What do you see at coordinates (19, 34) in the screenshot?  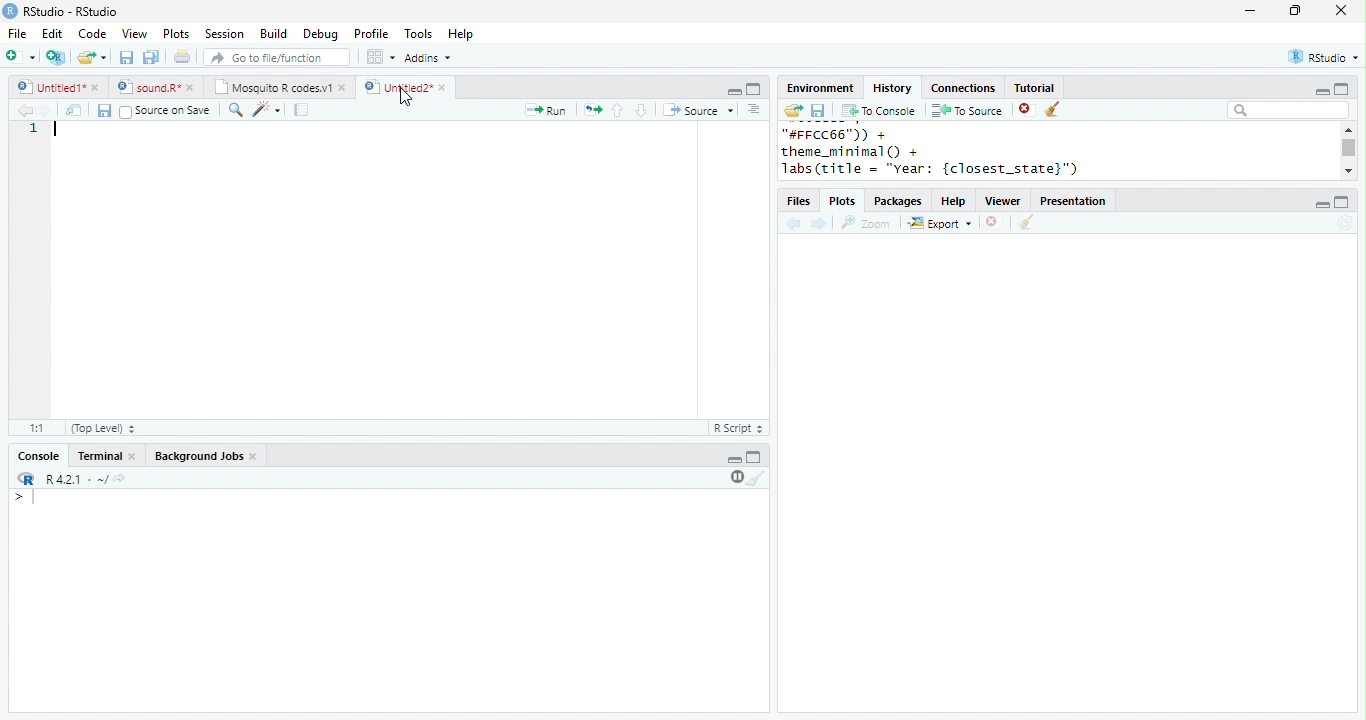 I see `File` at bounding box center [19, 34].